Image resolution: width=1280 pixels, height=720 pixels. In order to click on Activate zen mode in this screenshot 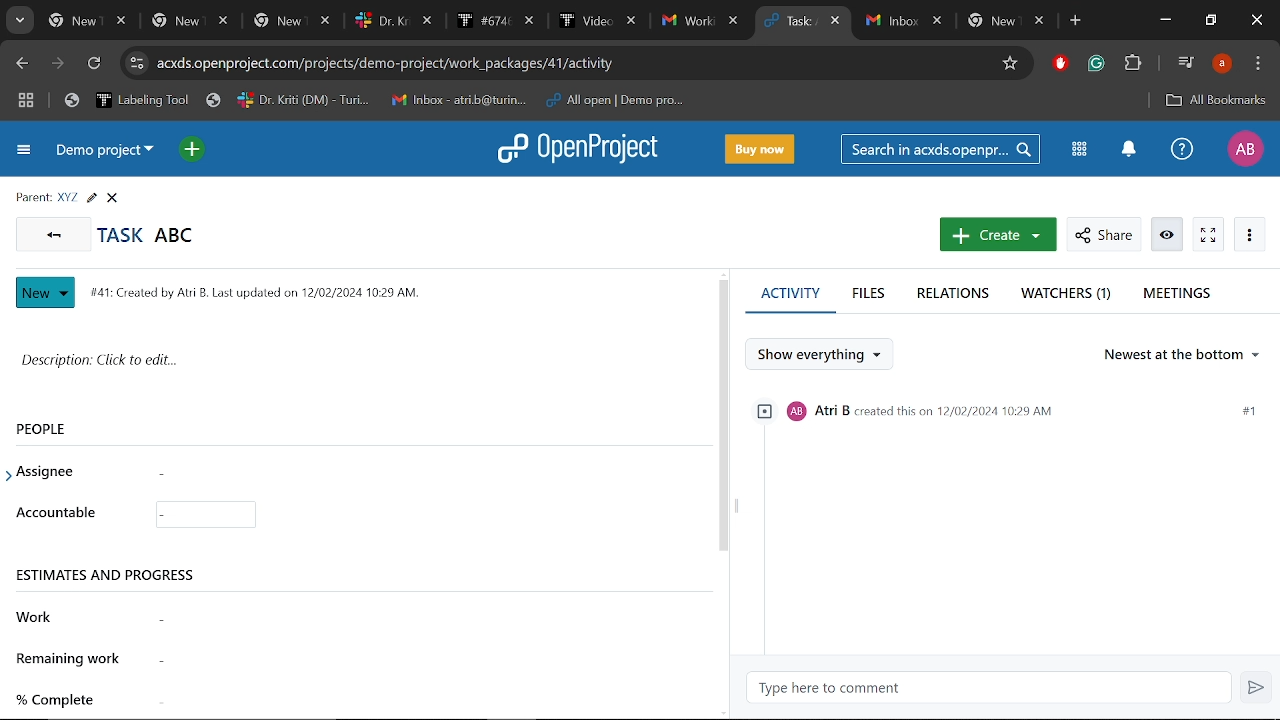, I will do `click(1209, 234)`.